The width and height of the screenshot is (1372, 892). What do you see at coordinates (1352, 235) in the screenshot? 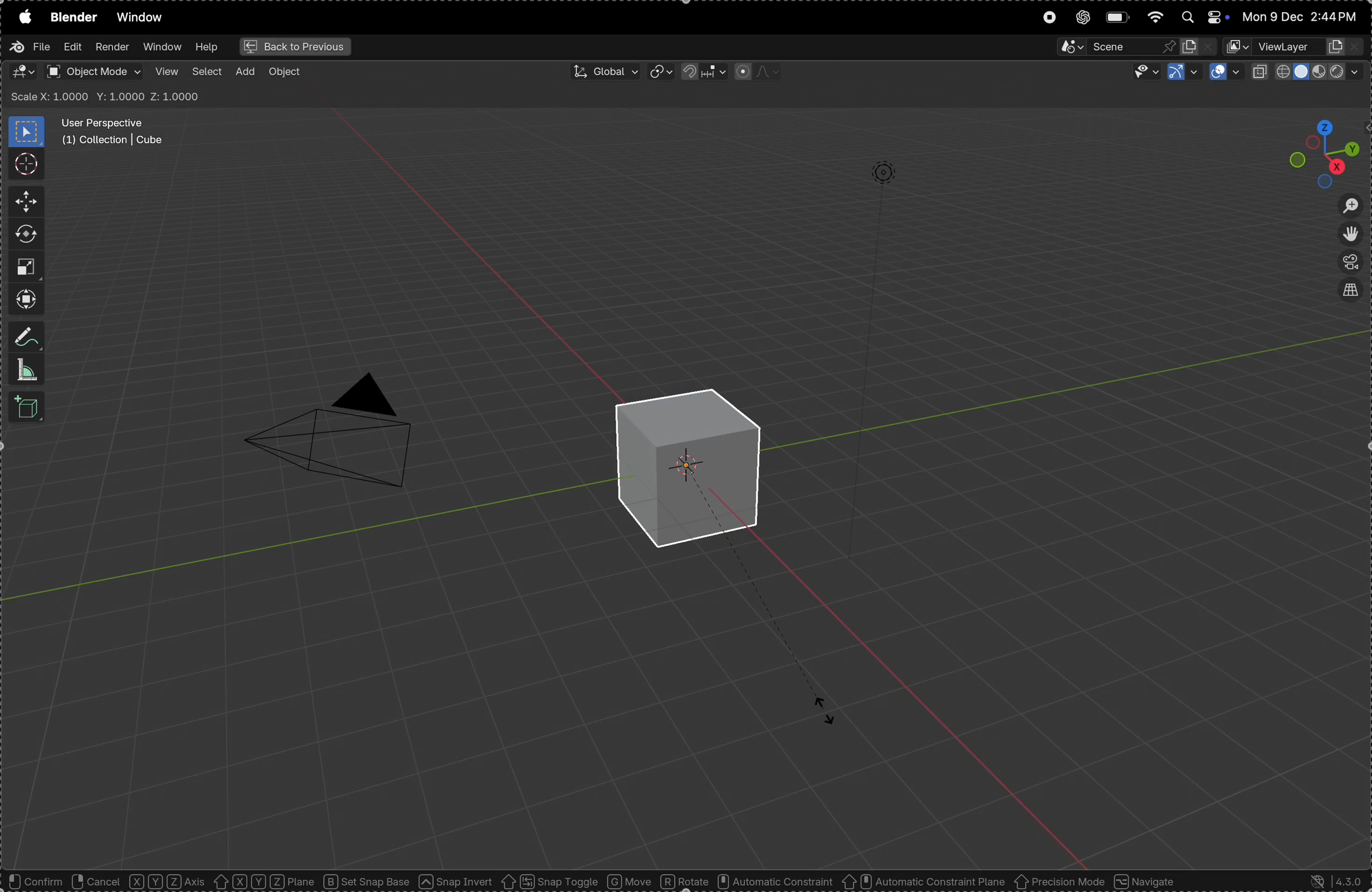
I see `move the view` at bounding box center [1352, 235].